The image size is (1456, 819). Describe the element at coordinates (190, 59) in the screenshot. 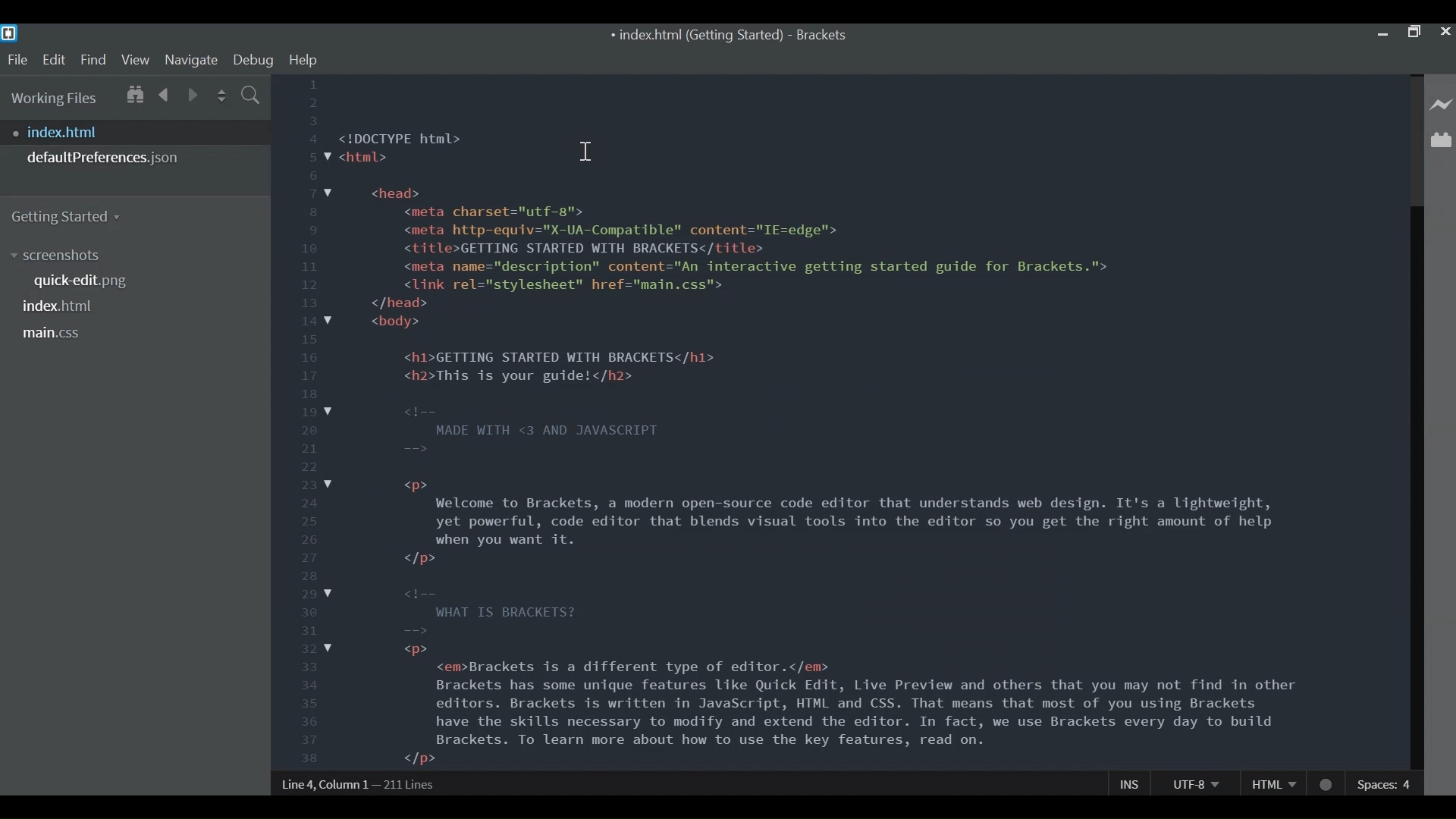

I see `Navigate` at that location.